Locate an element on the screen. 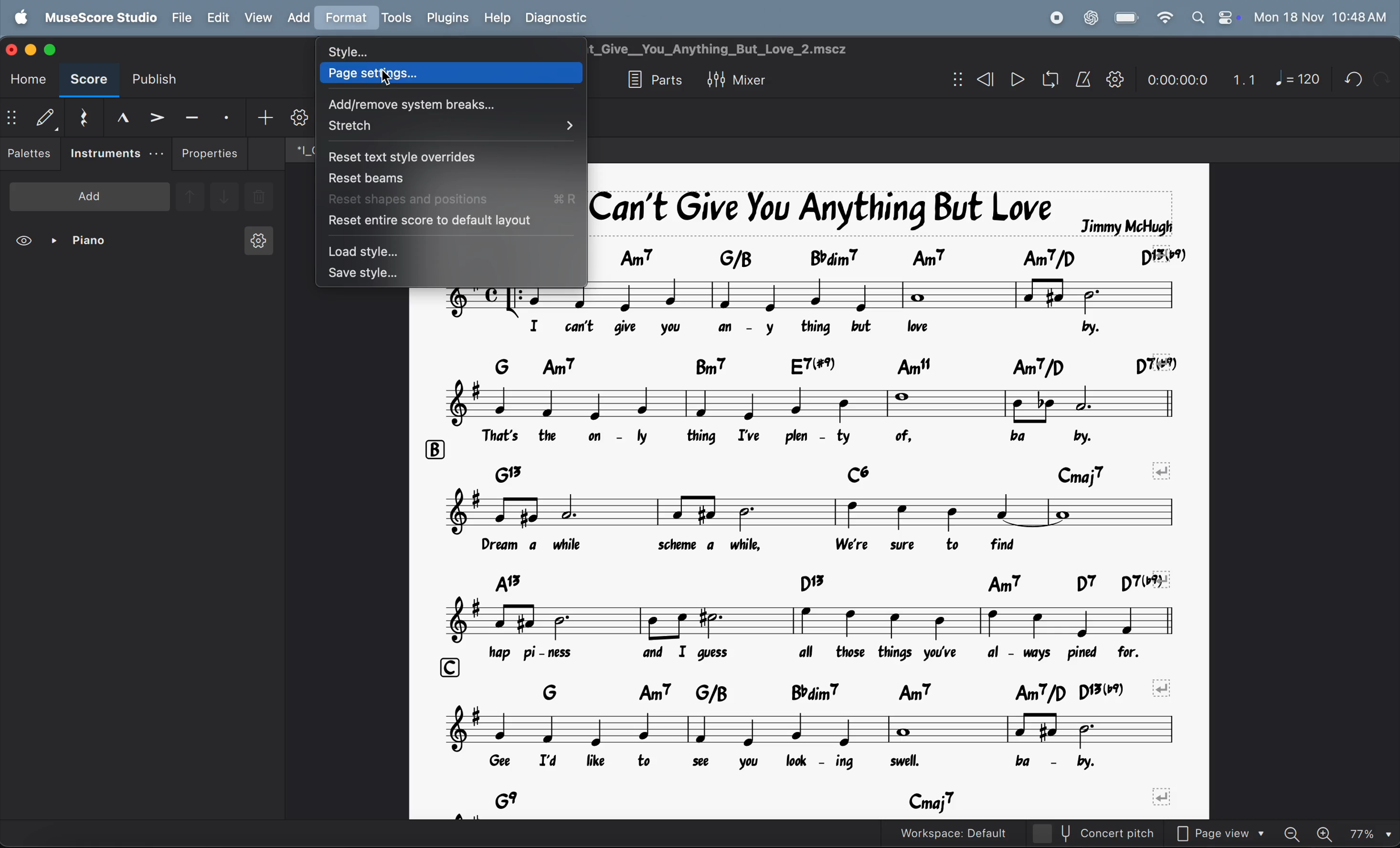 This screenshot has width=1400, height=848. note 120 is located at coordinates (1298, 80).